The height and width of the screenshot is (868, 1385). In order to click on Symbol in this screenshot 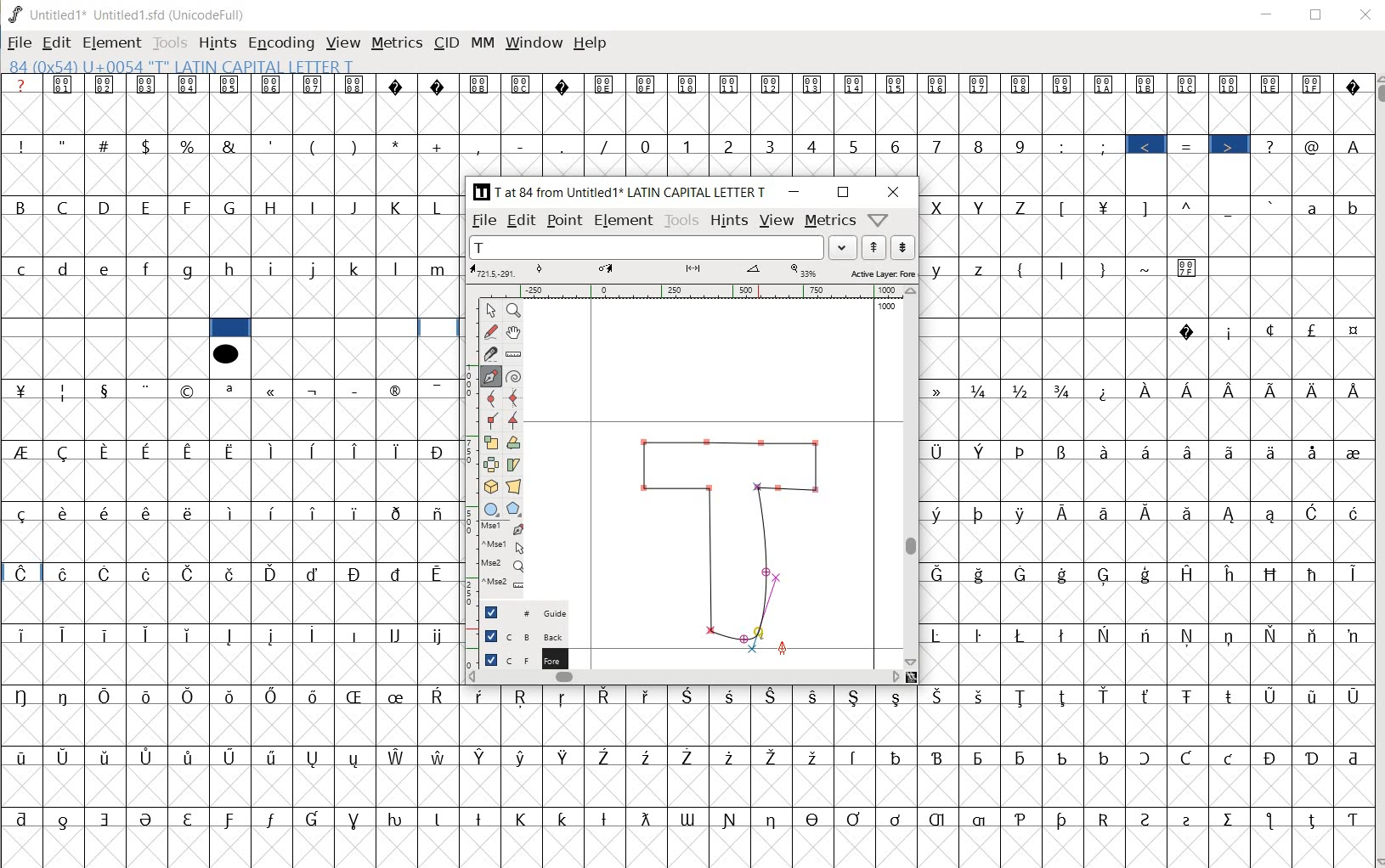, I will do `click(107, 86)`.